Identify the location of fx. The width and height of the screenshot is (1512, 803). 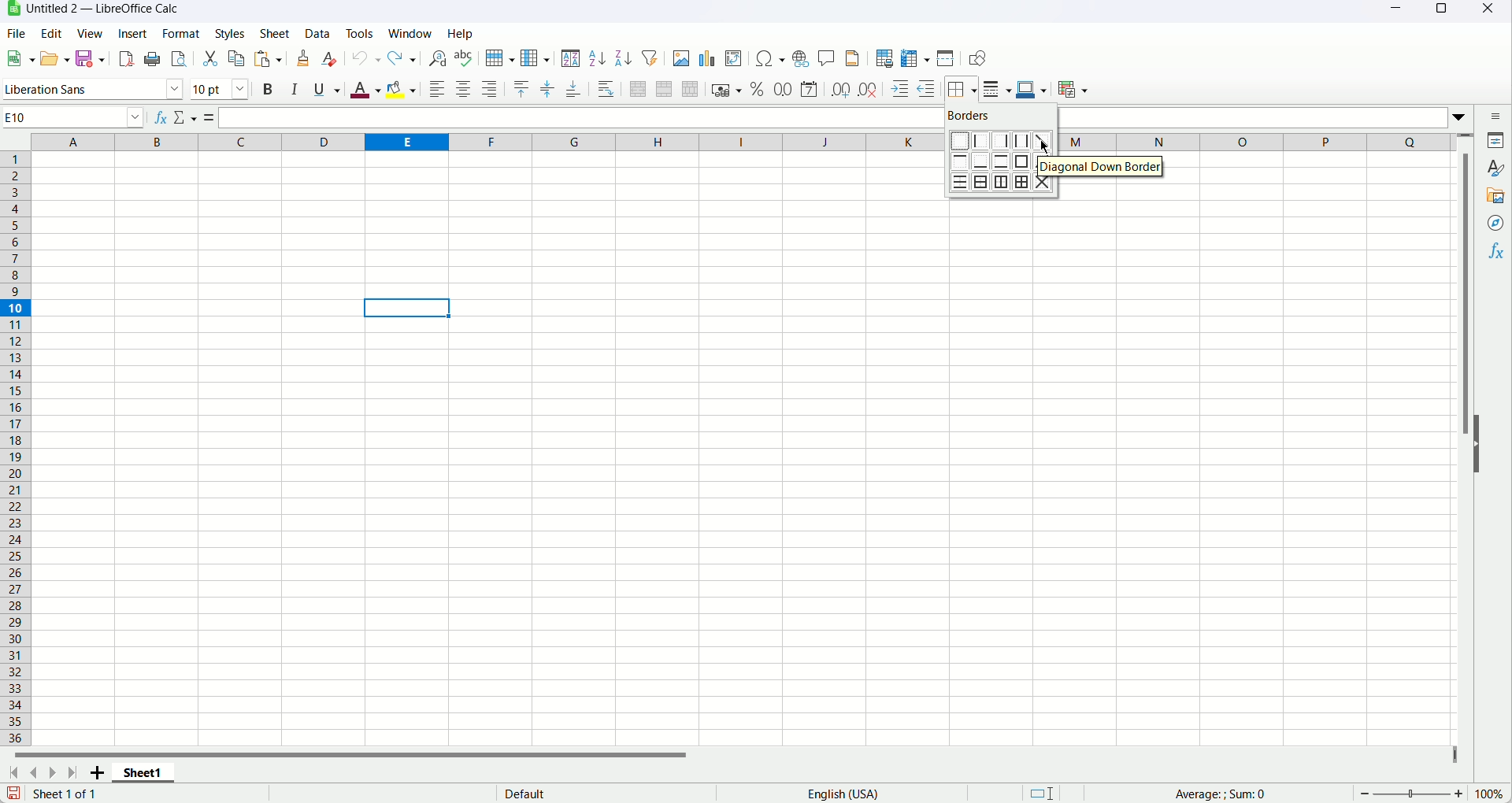
(161, 115).